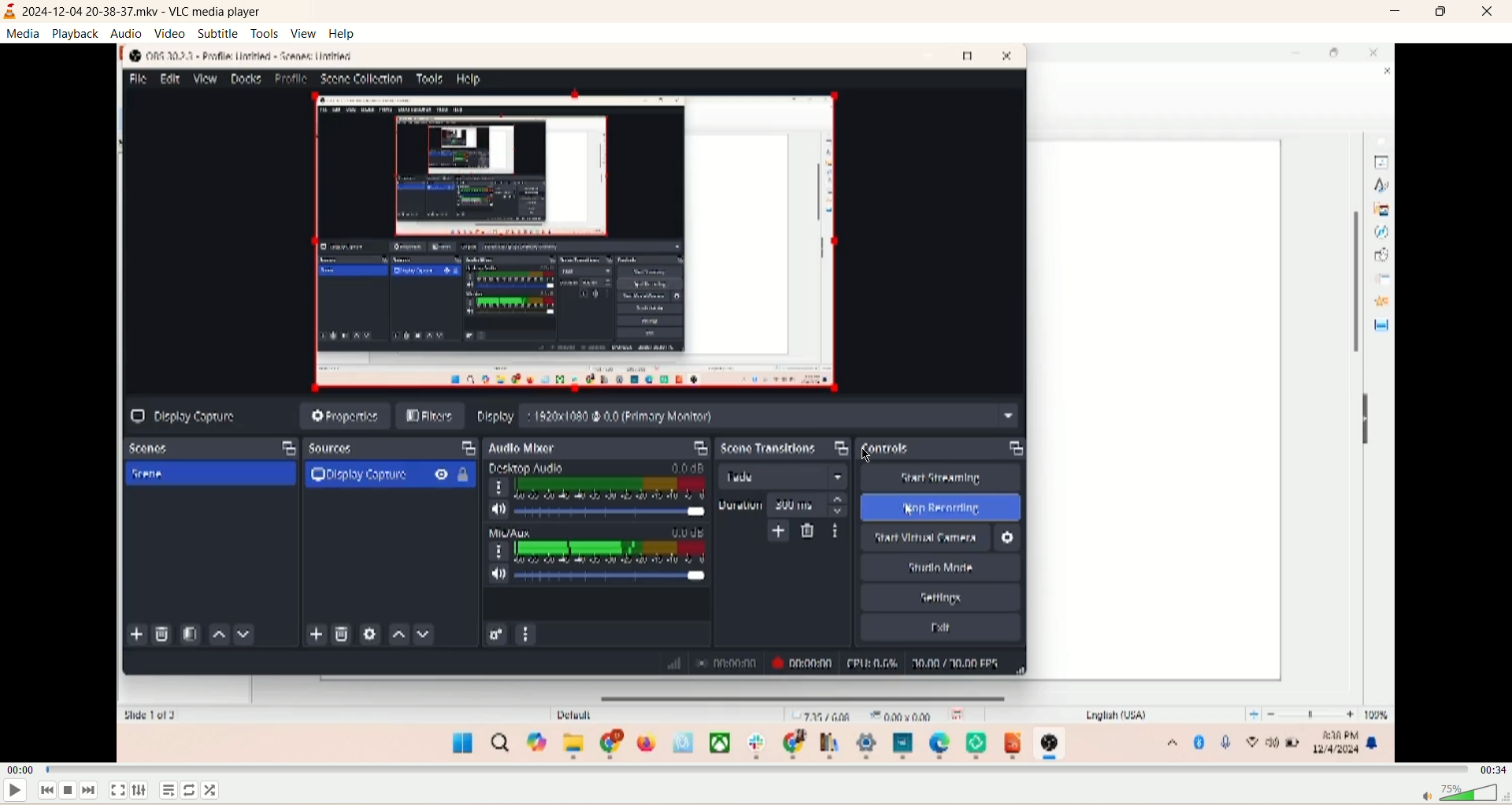 The width and height of the screenshot is (1512, 805). Describe the element at coordinates (70, 791) in the screenshot. I see `stop` at that location.